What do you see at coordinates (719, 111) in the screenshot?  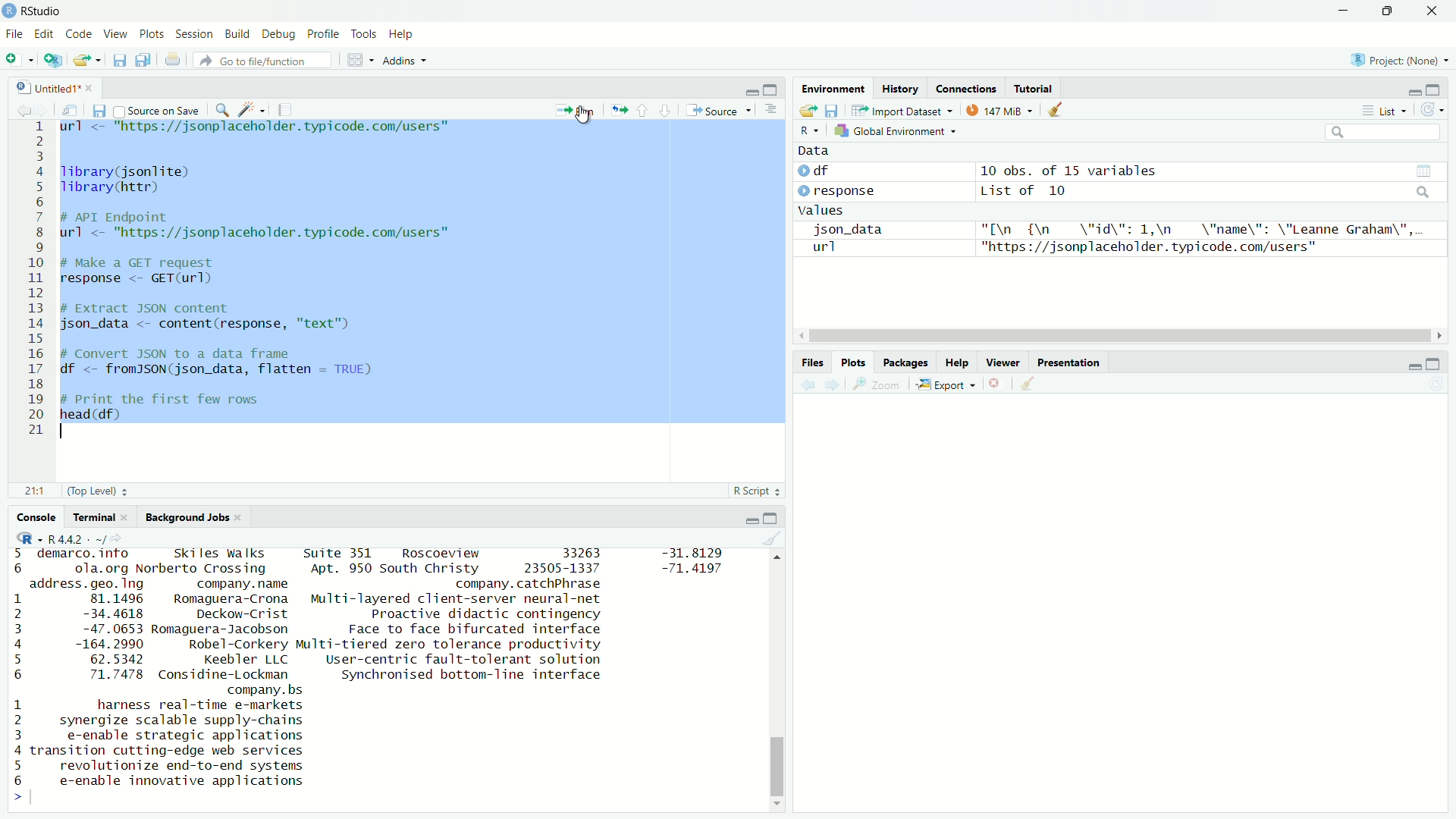 I see `Source ` at bounding box center [719, 111].